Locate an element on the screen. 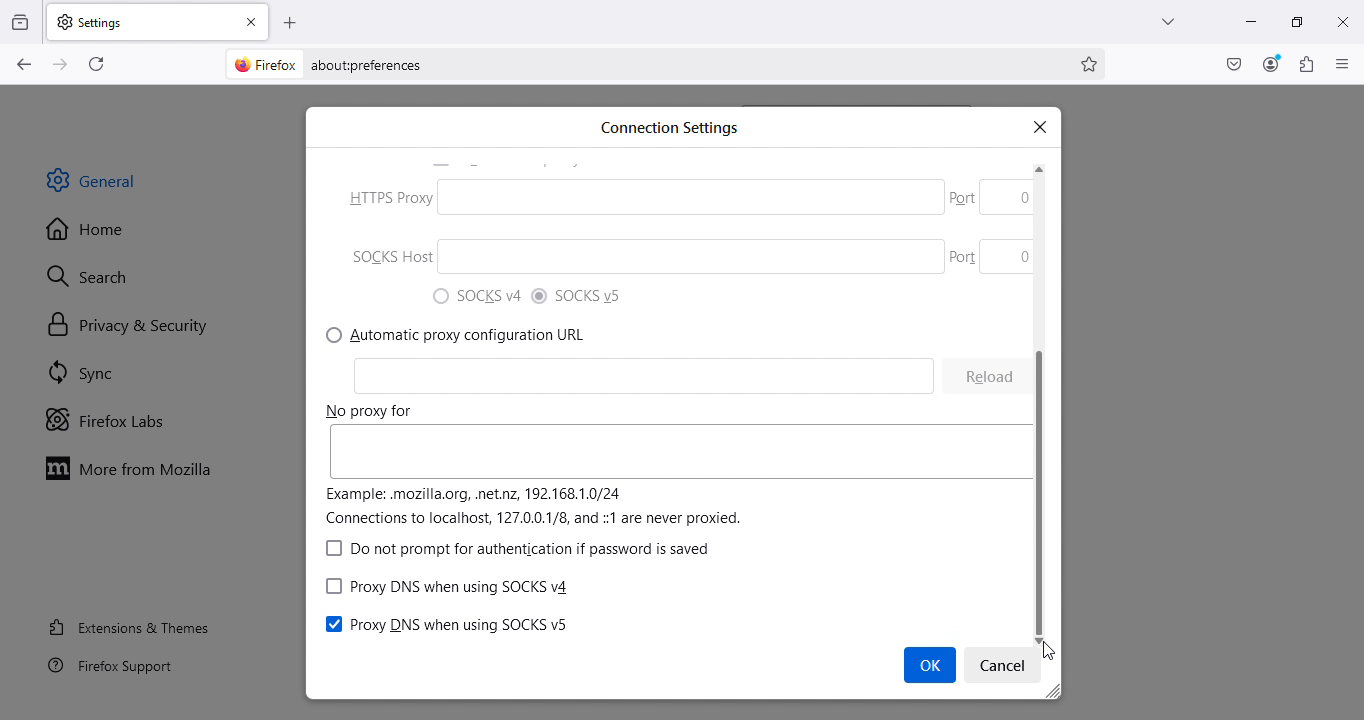 This screenshot has width=1364, height=720. 7) Manual proxy configuration is located at coordinates (461, 335).